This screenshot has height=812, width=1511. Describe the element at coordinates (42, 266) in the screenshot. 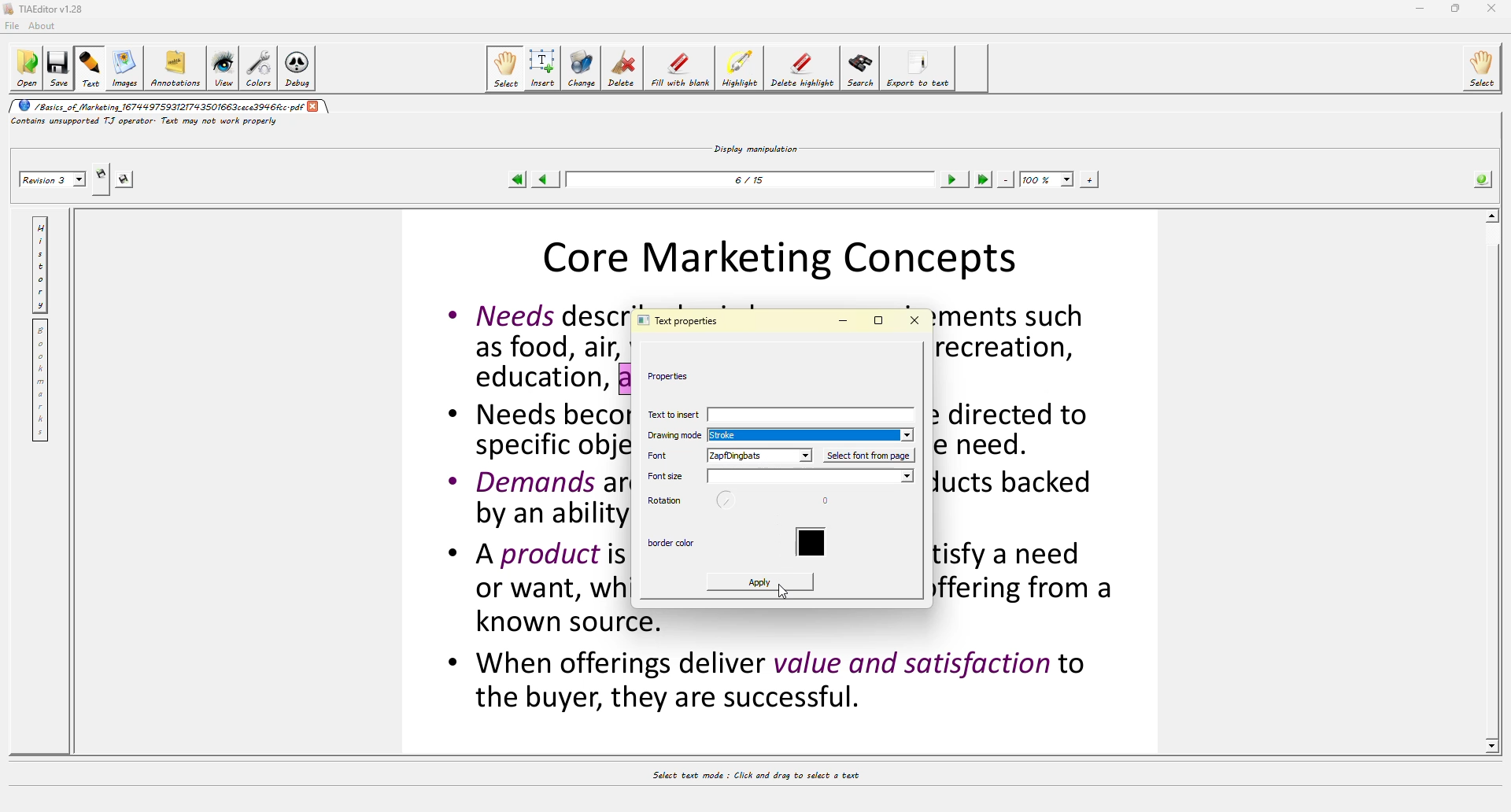

I see `history` at that location.